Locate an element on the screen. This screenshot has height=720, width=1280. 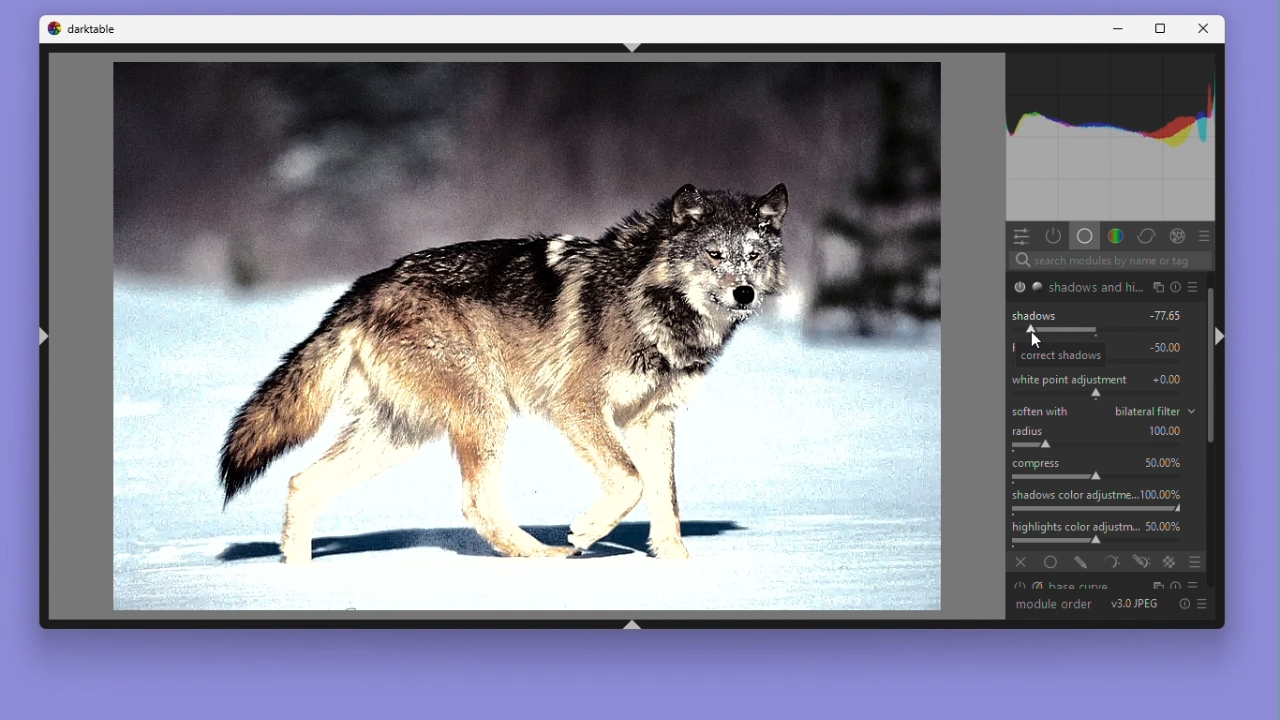
-77.65 is located at coordinates (1171, 314).